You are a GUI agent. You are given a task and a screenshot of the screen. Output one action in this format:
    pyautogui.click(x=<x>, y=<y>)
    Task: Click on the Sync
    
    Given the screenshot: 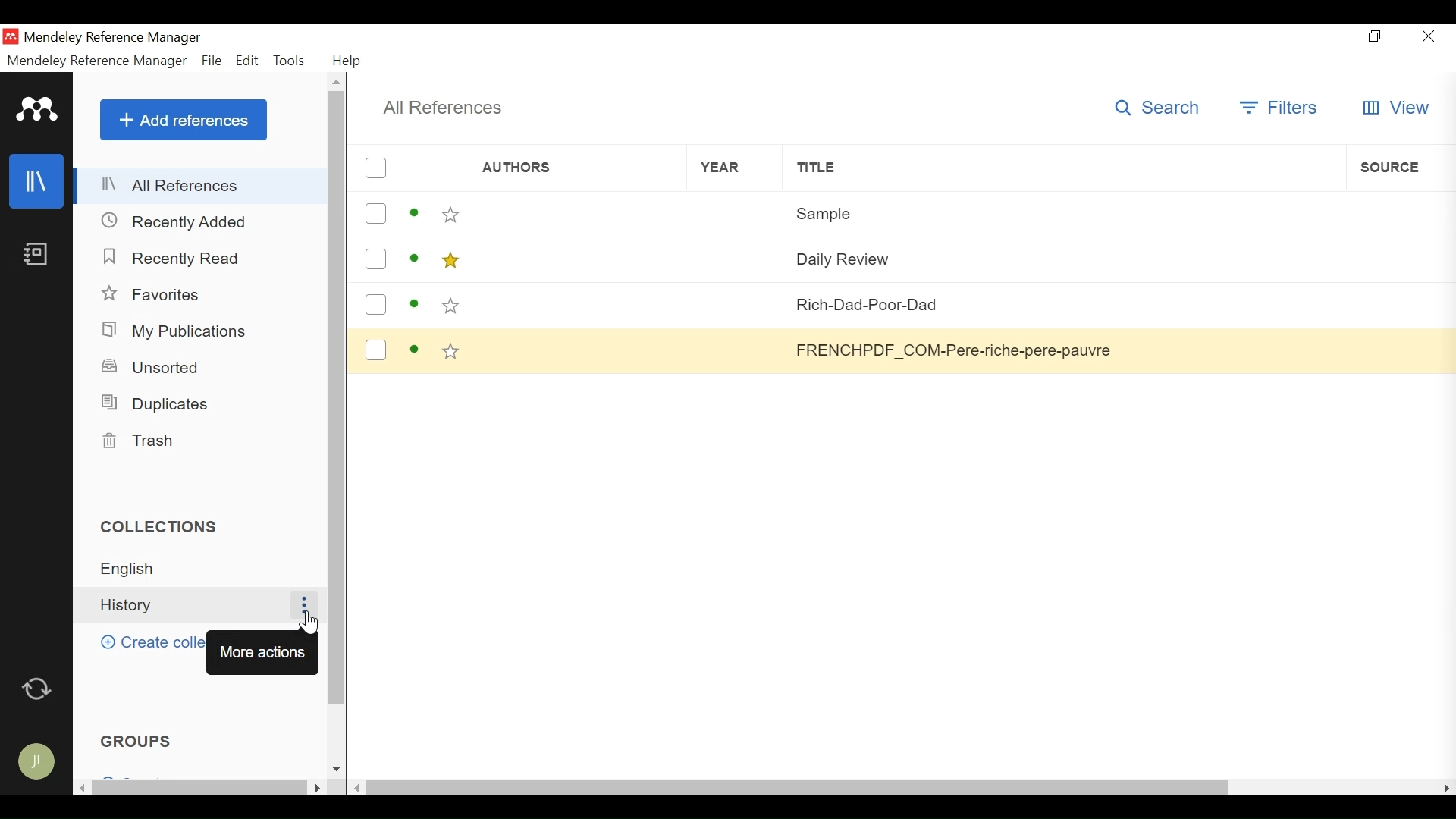 What is the action you would take?
    pyautogui.click(x=38, y=686)
    